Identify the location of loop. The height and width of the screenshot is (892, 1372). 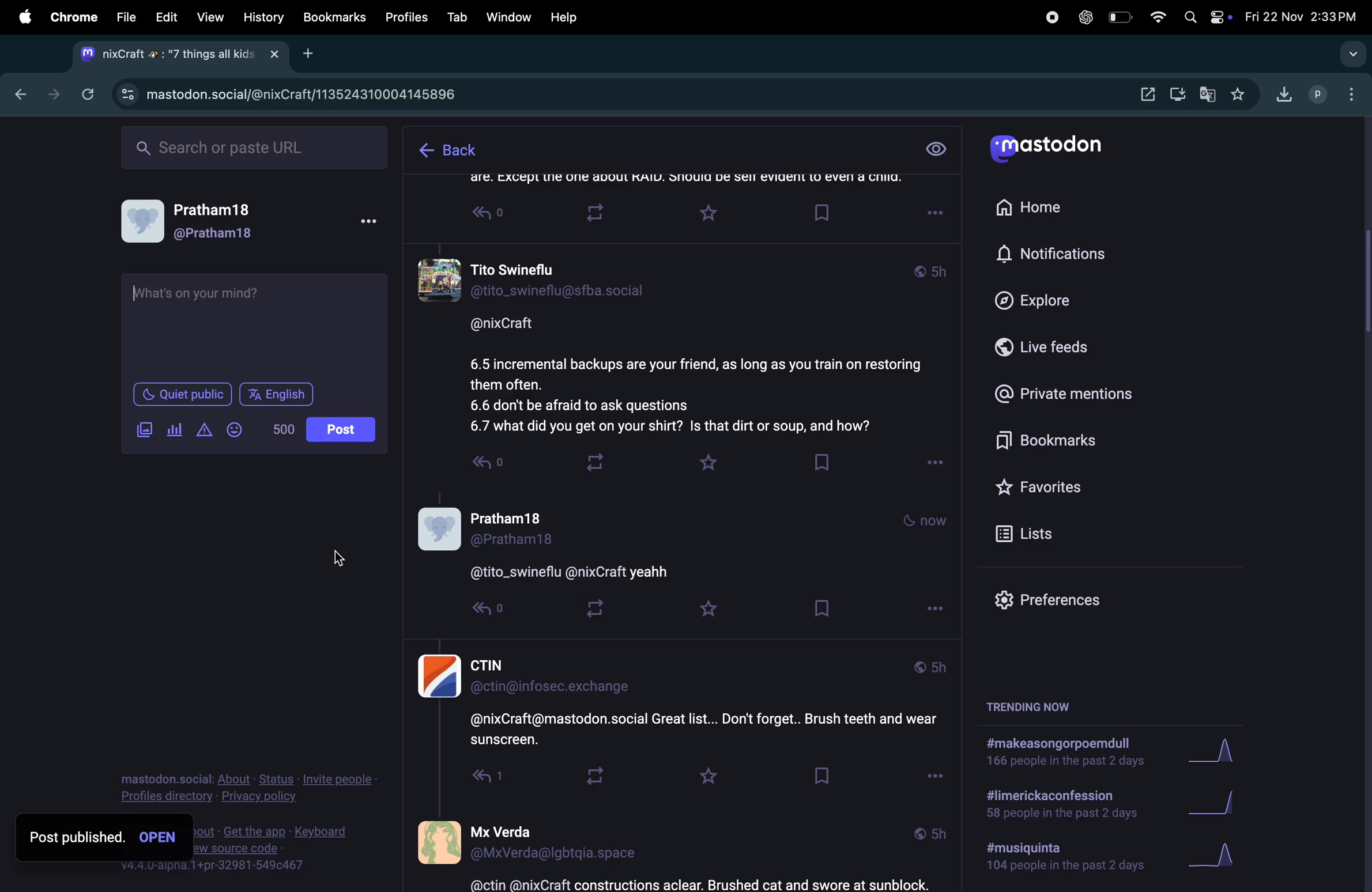
(595, 609).